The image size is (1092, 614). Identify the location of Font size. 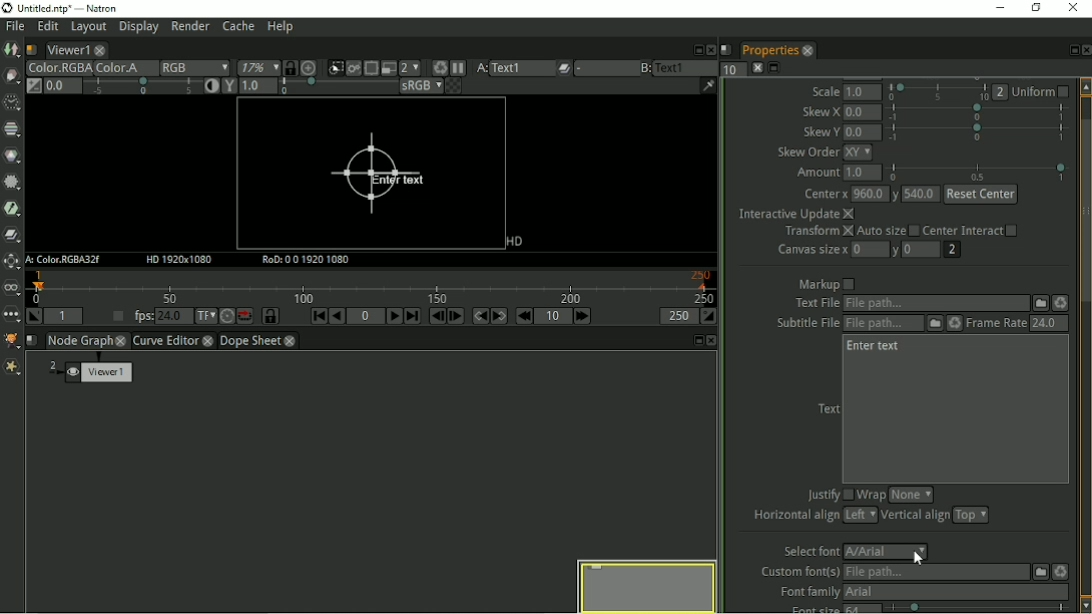
(806, 608).